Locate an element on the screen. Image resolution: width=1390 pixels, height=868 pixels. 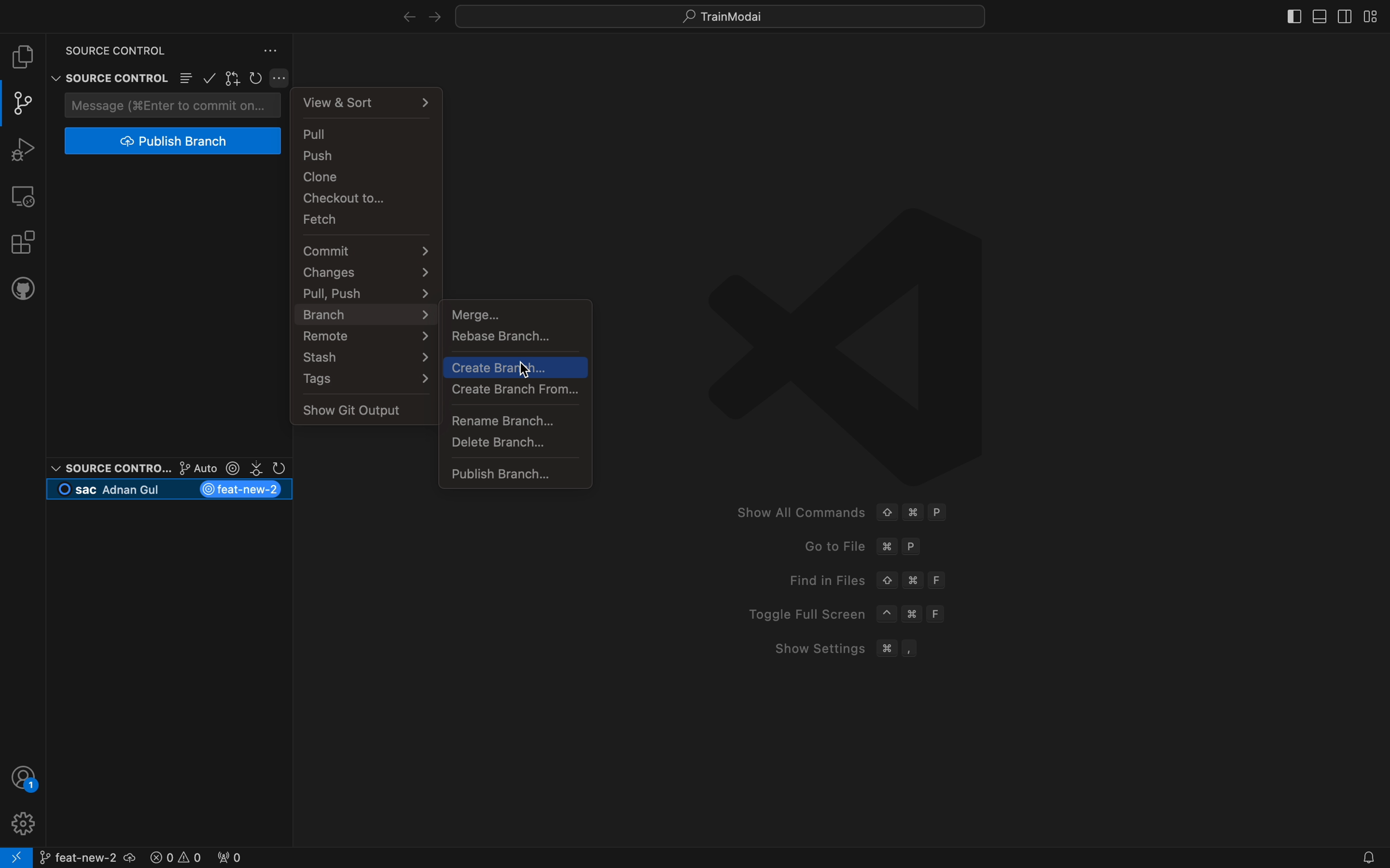
Show All Commands is located at coordinates (796, 513).